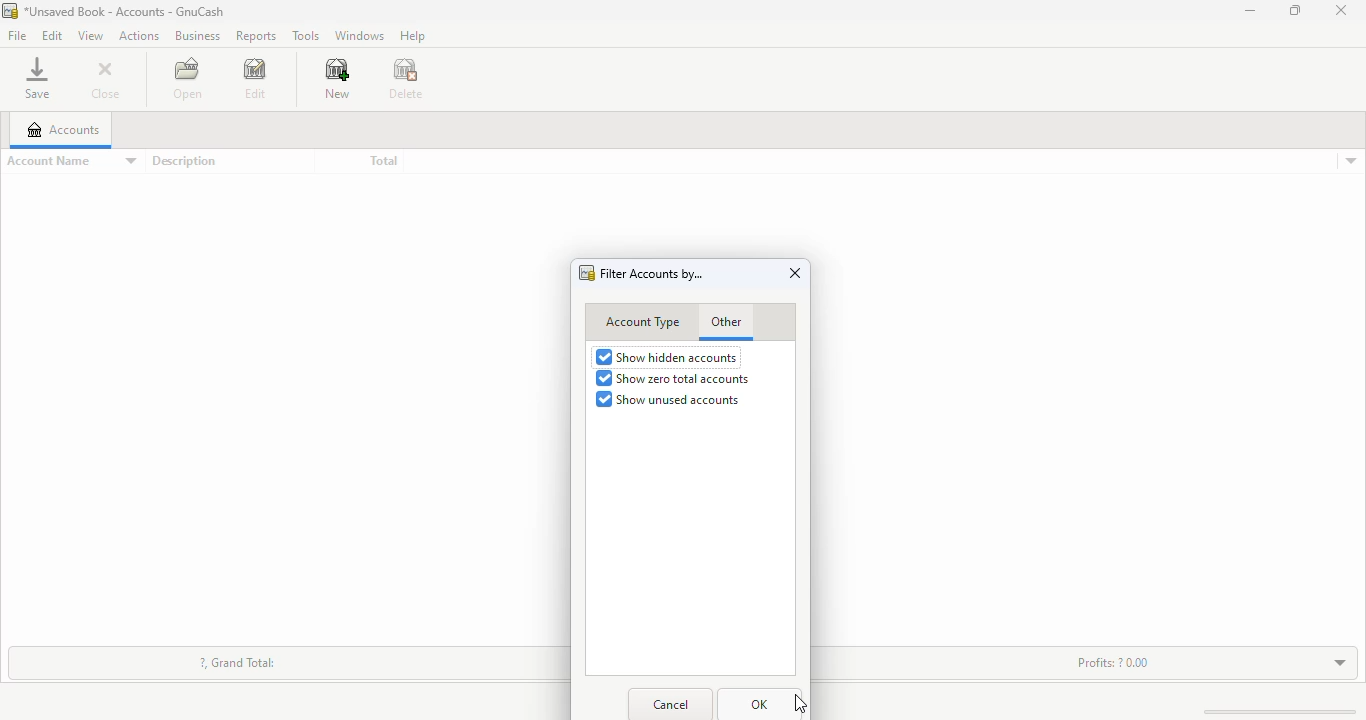 Image resolution: width=1366 pixels, height=720 pixels. Describe the element at coordinates (406, 79) in the screenshot. I see `delete` at that location.